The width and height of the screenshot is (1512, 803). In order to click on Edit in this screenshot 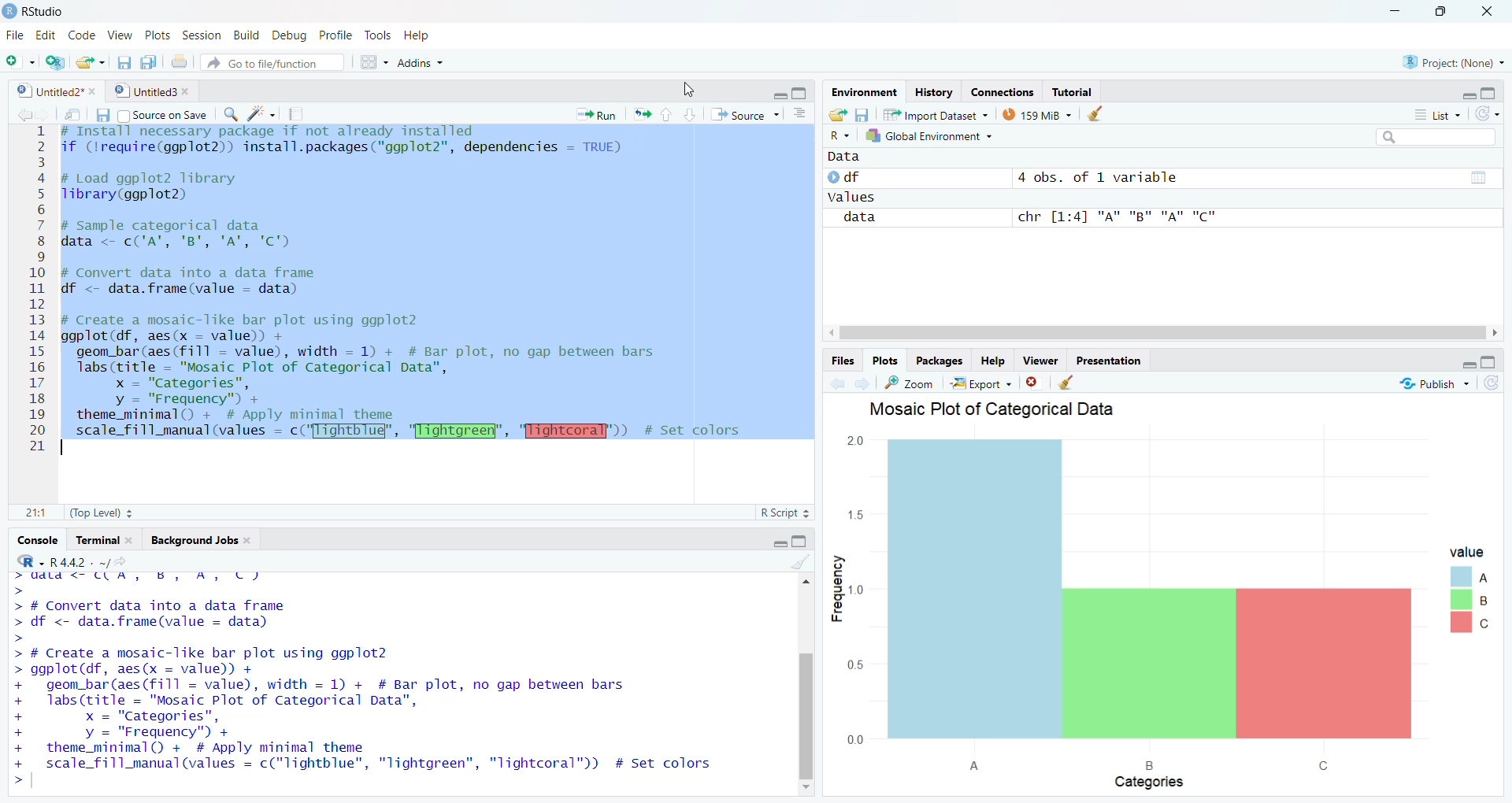, I will do `click(47, 35)`.